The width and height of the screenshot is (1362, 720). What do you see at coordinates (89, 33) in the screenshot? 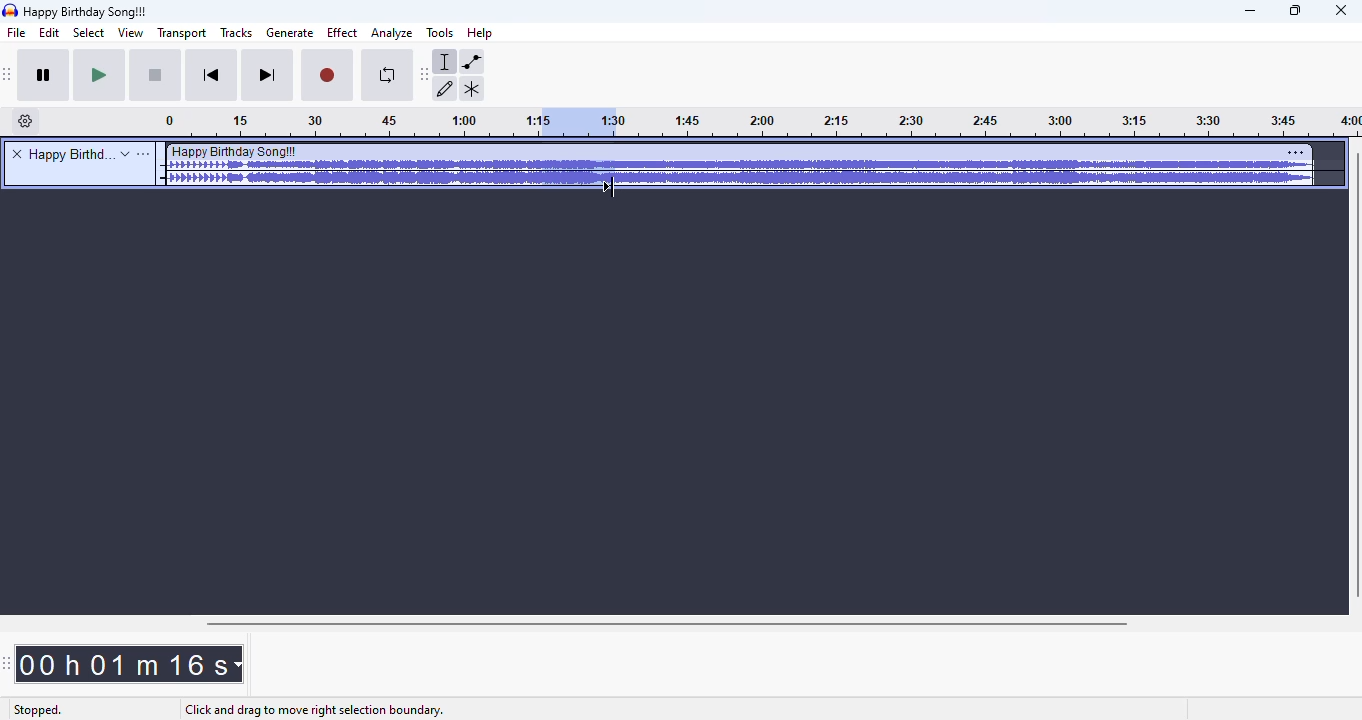
I see `select` at bounding box center [89, 33].